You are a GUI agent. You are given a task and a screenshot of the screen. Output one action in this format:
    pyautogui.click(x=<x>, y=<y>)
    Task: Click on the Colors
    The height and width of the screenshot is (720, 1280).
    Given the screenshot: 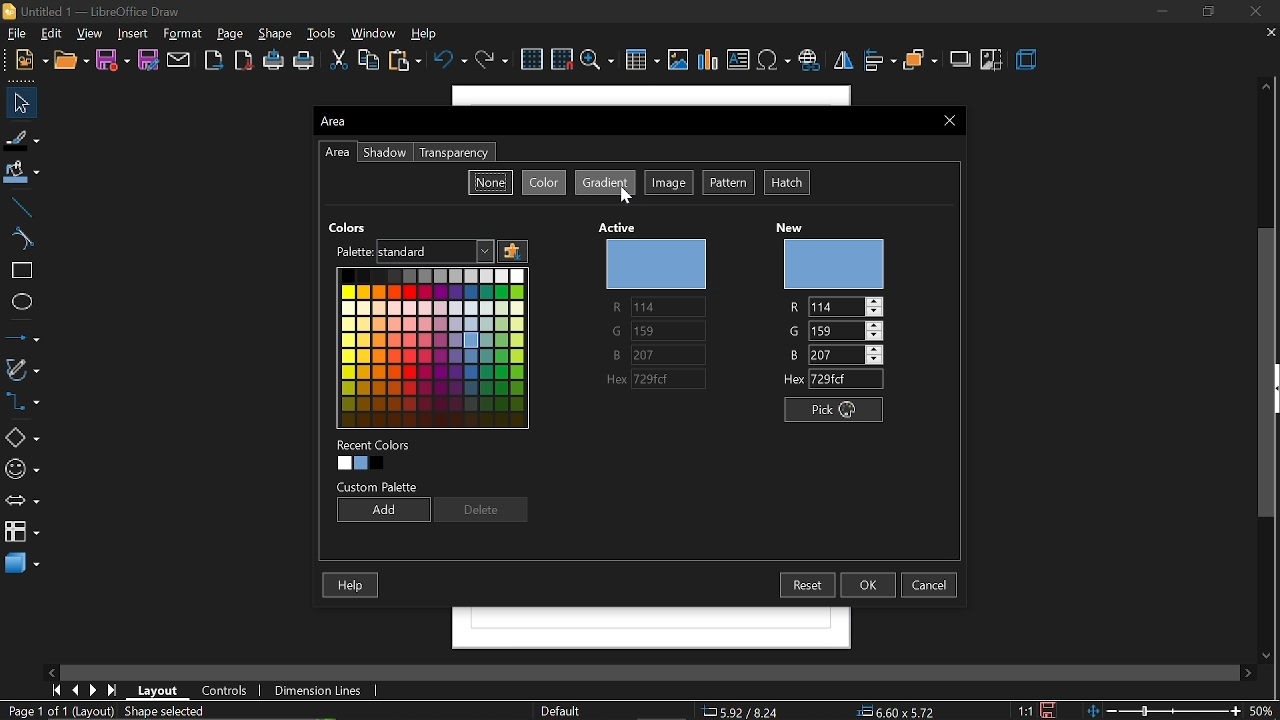 What is the action you would take?
    pyautogui.click(x=352, y=226)
    